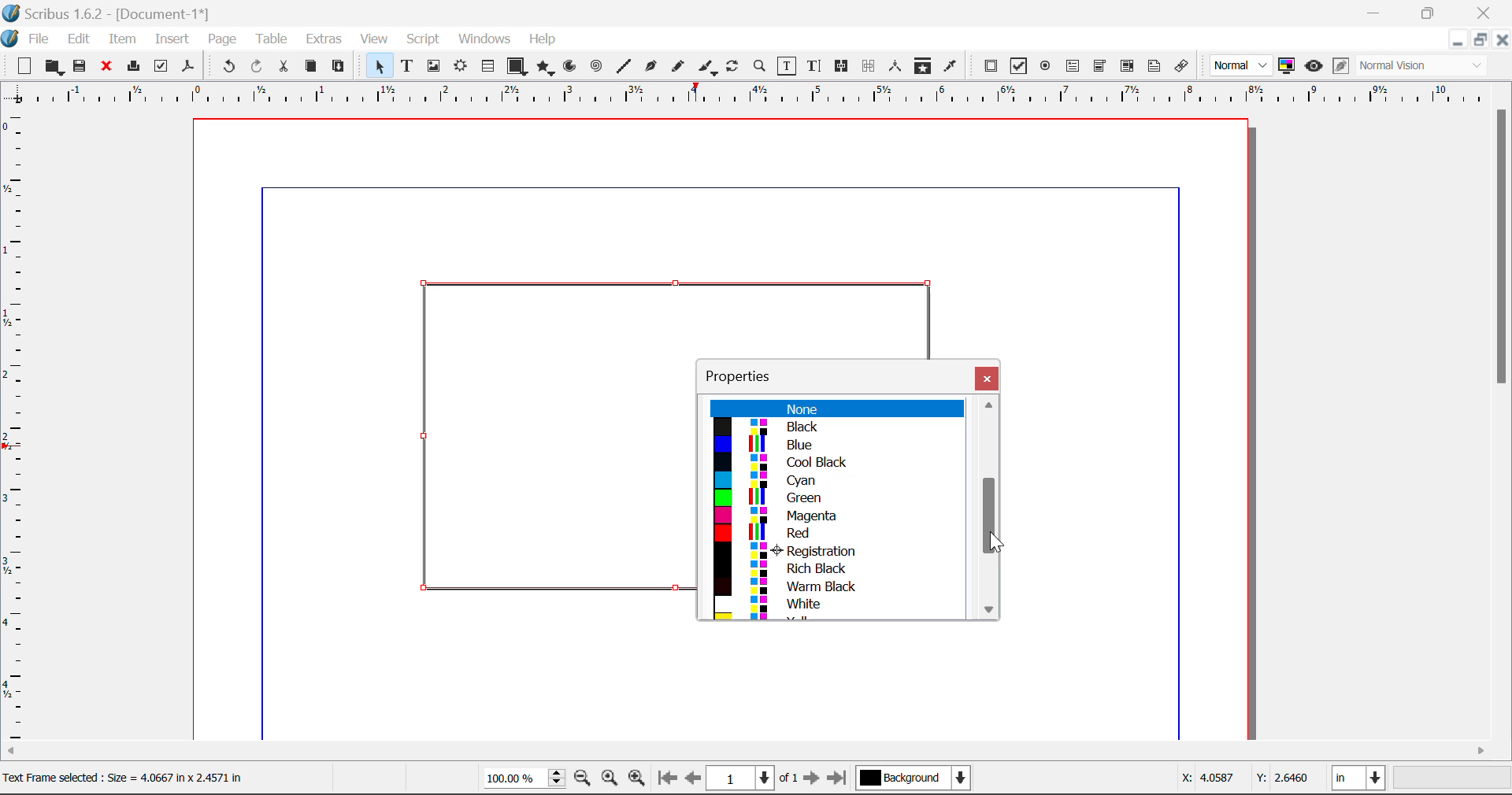 The image size is (1512, 795). I want to click on Cut, so click(285, 66).